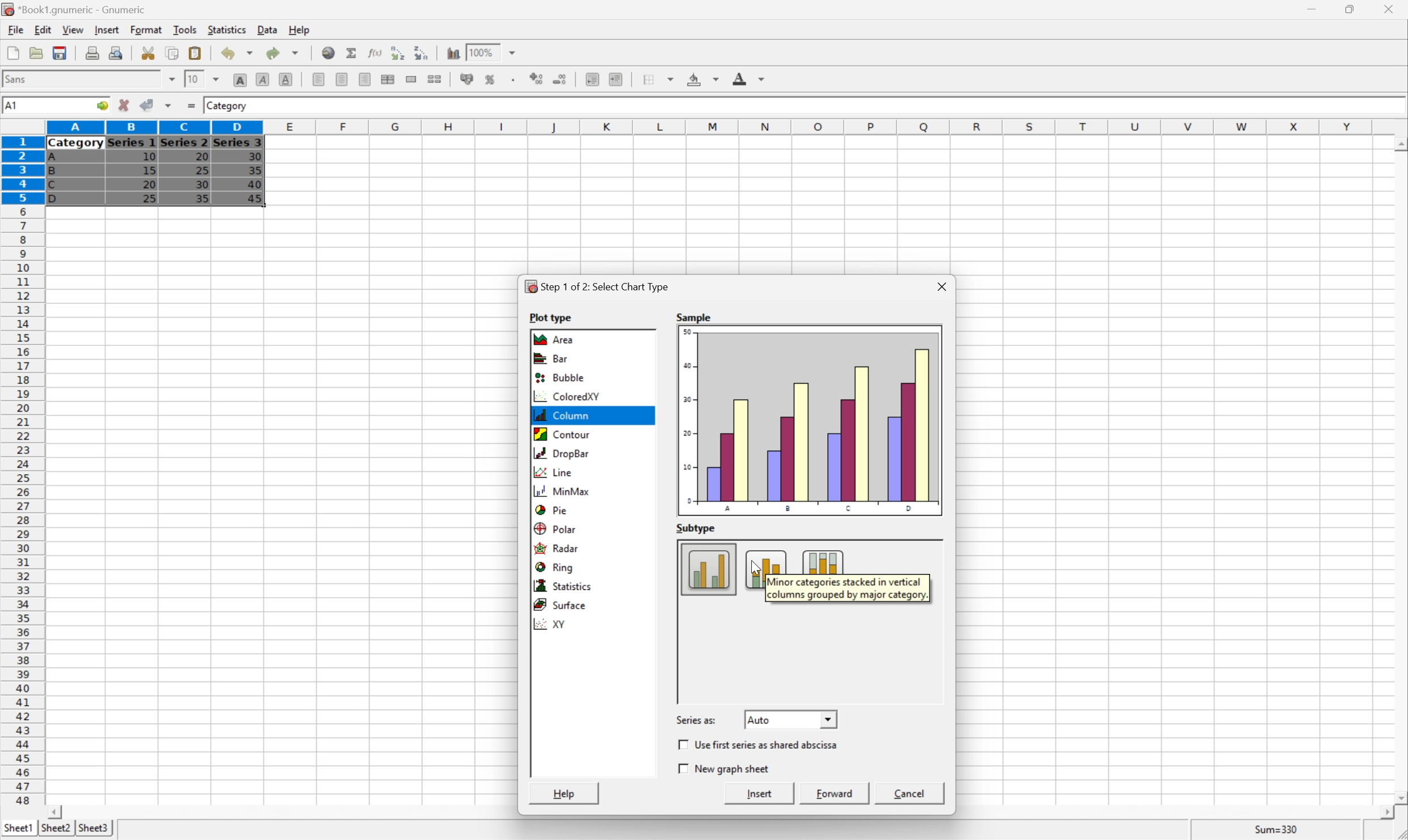 Image resolution: width=1408 pixels, height=840 pixels. Describe the element at coordinates (54, 158) in the screenshot. I see `A` at that location.